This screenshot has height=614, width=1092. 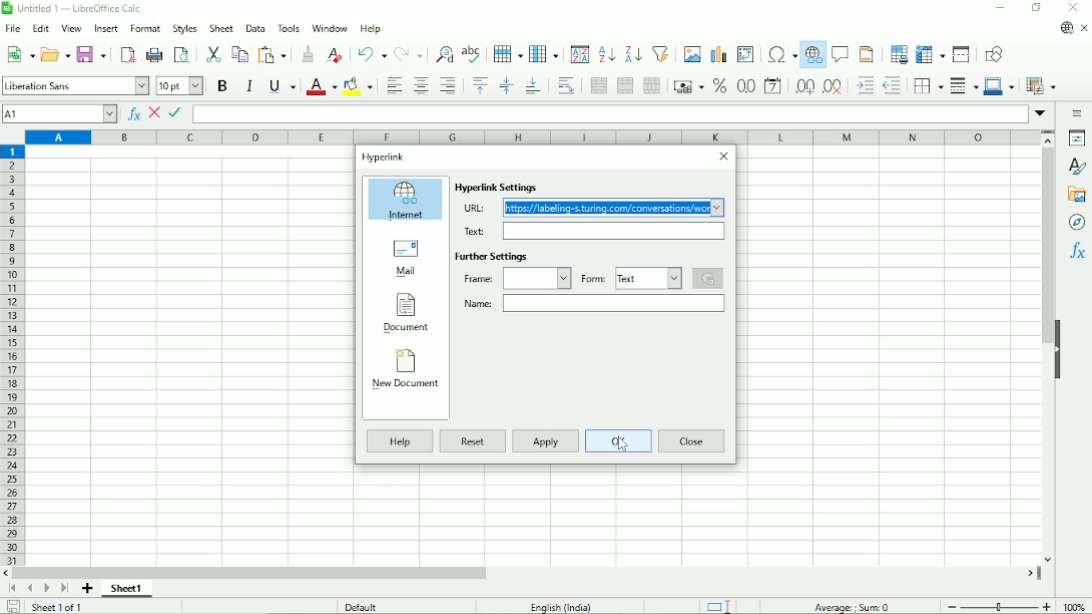 What do you see at coordinates (537, 278) in the screenshot?
I see `Select frame` at bounding box center [537, 278].